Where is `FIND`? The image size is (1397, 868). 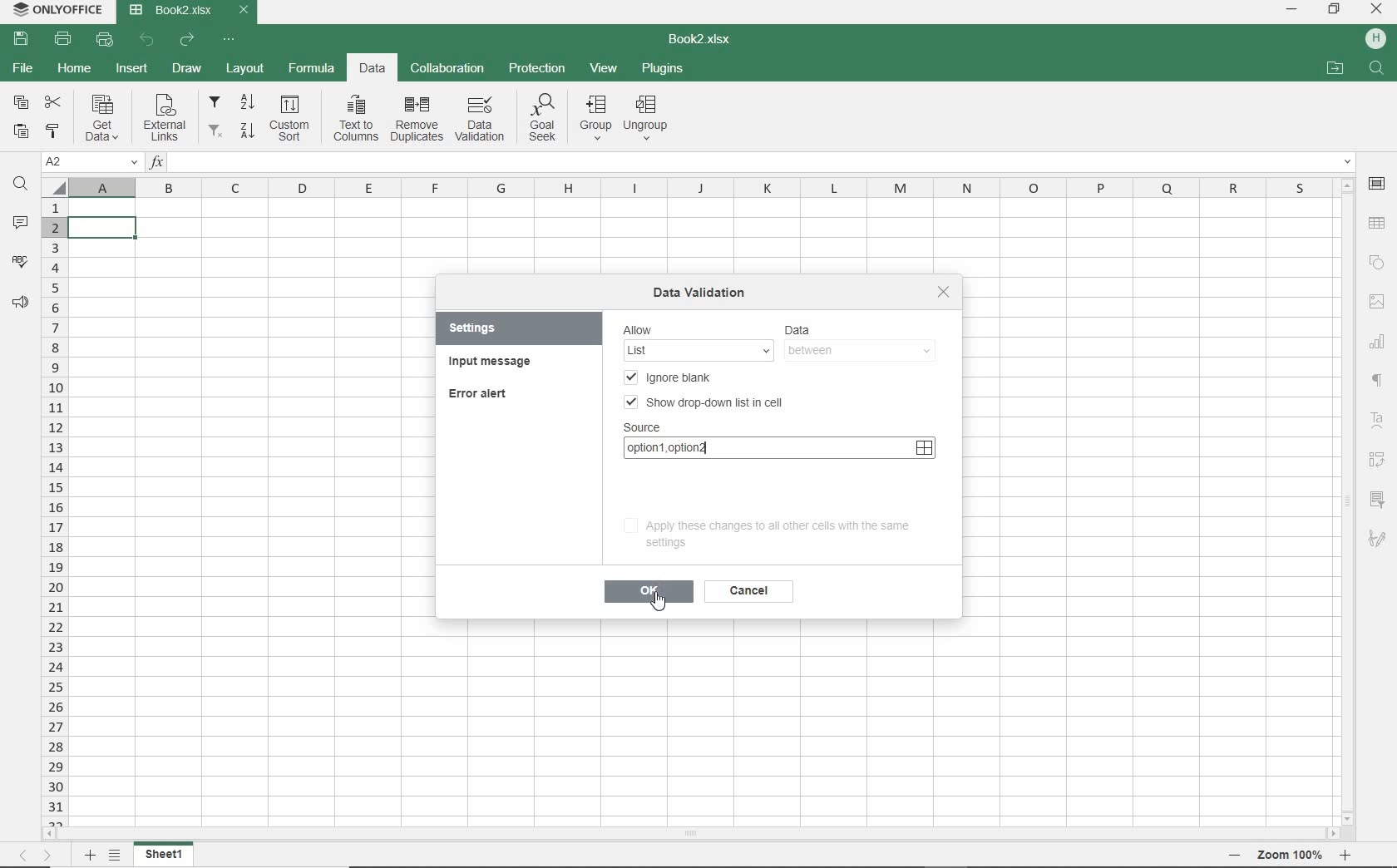
FIND is located at coordinates (1378, 70).